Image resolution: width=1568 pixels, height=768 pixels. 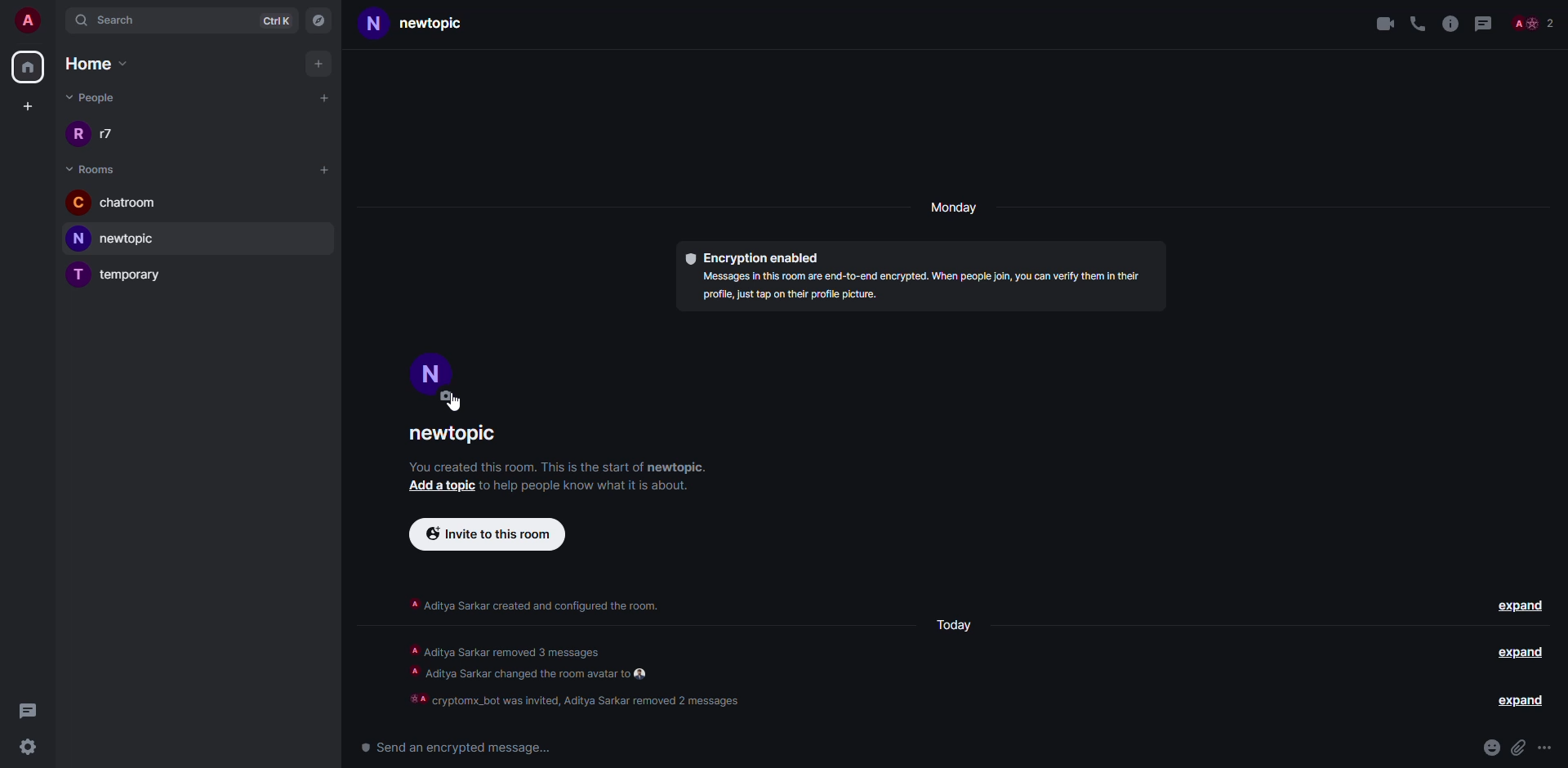 What do you see at coordinates (1546, 747) in the screenshot?
I see `more` at bounding box center [1546, 747].